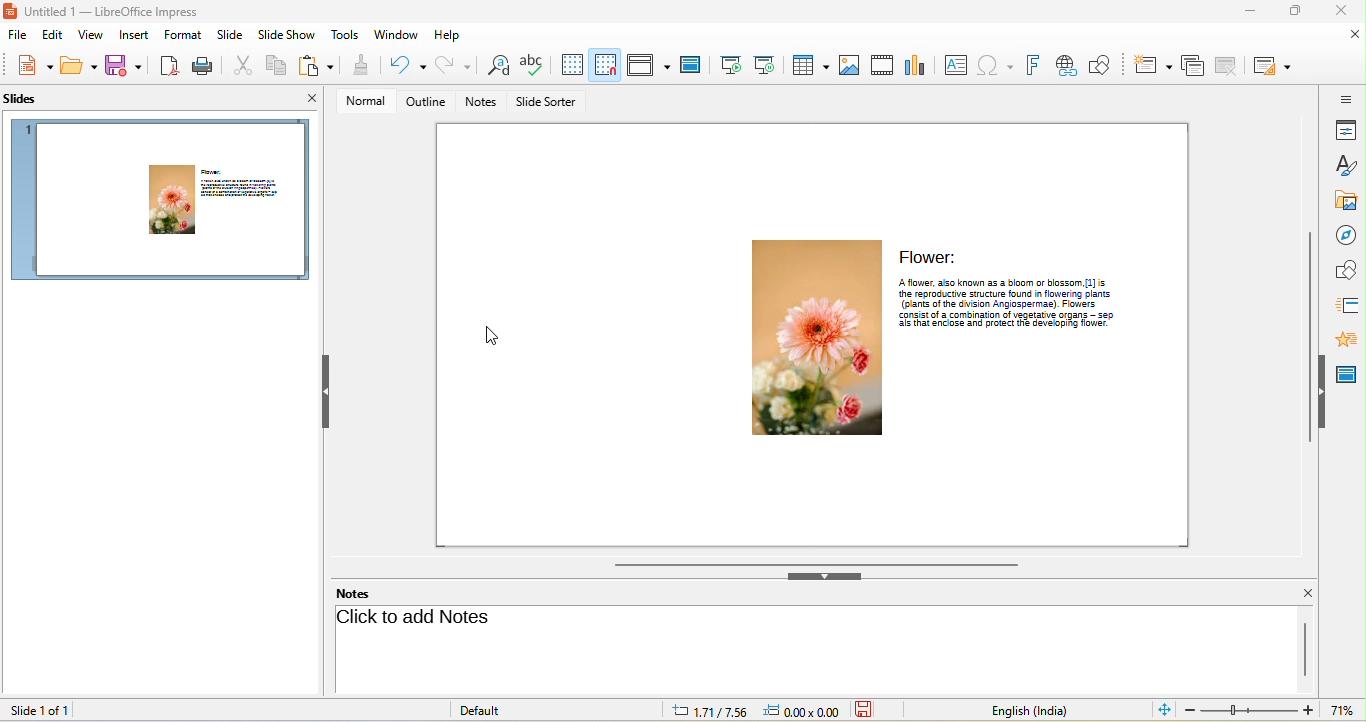 This screenshot has width=1366, height=722. I want to click on edit, so click(52, 35).